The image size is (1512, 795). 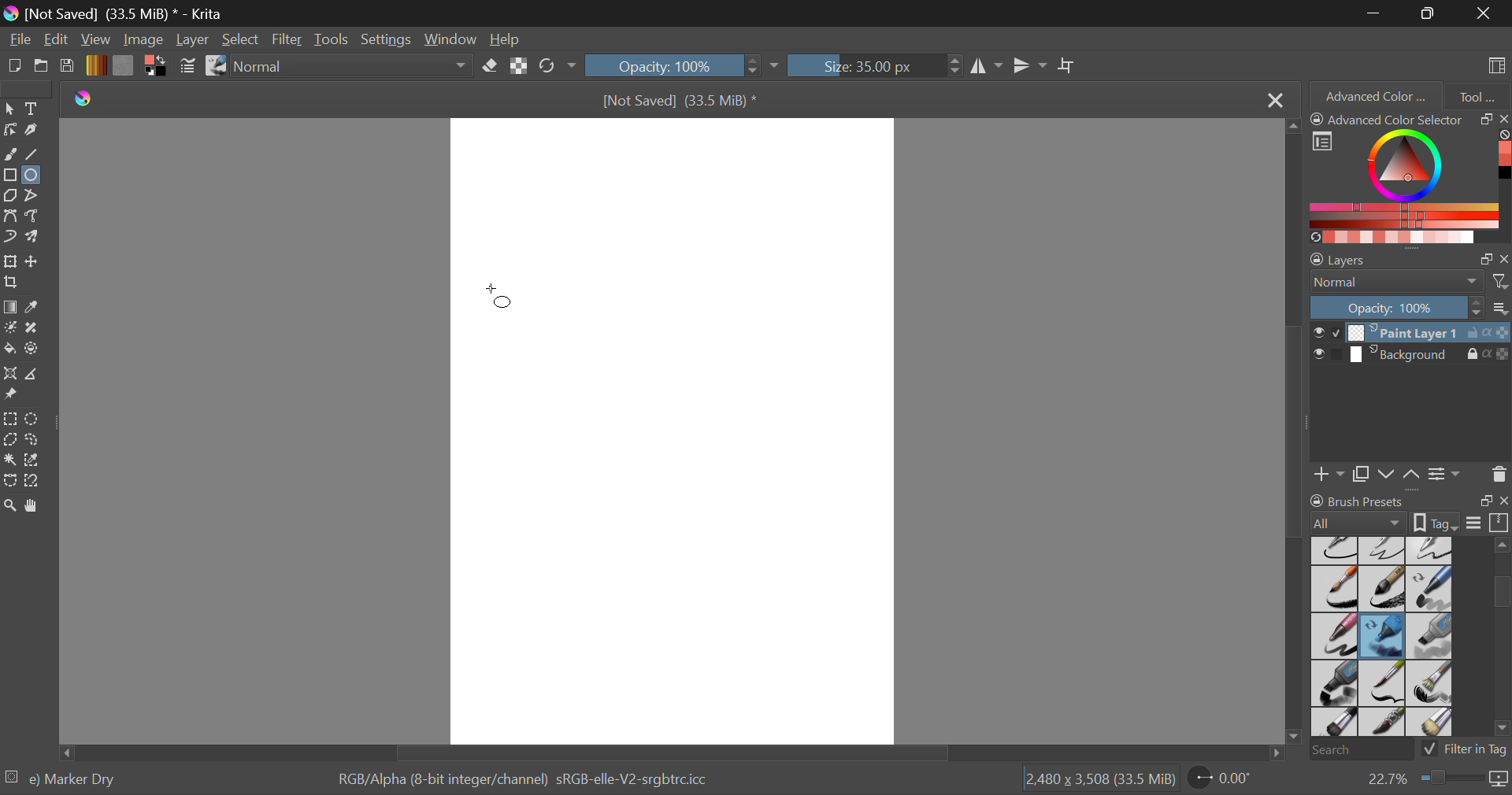 I want to click on Filter in Tag, so click(x=1466, y=748).